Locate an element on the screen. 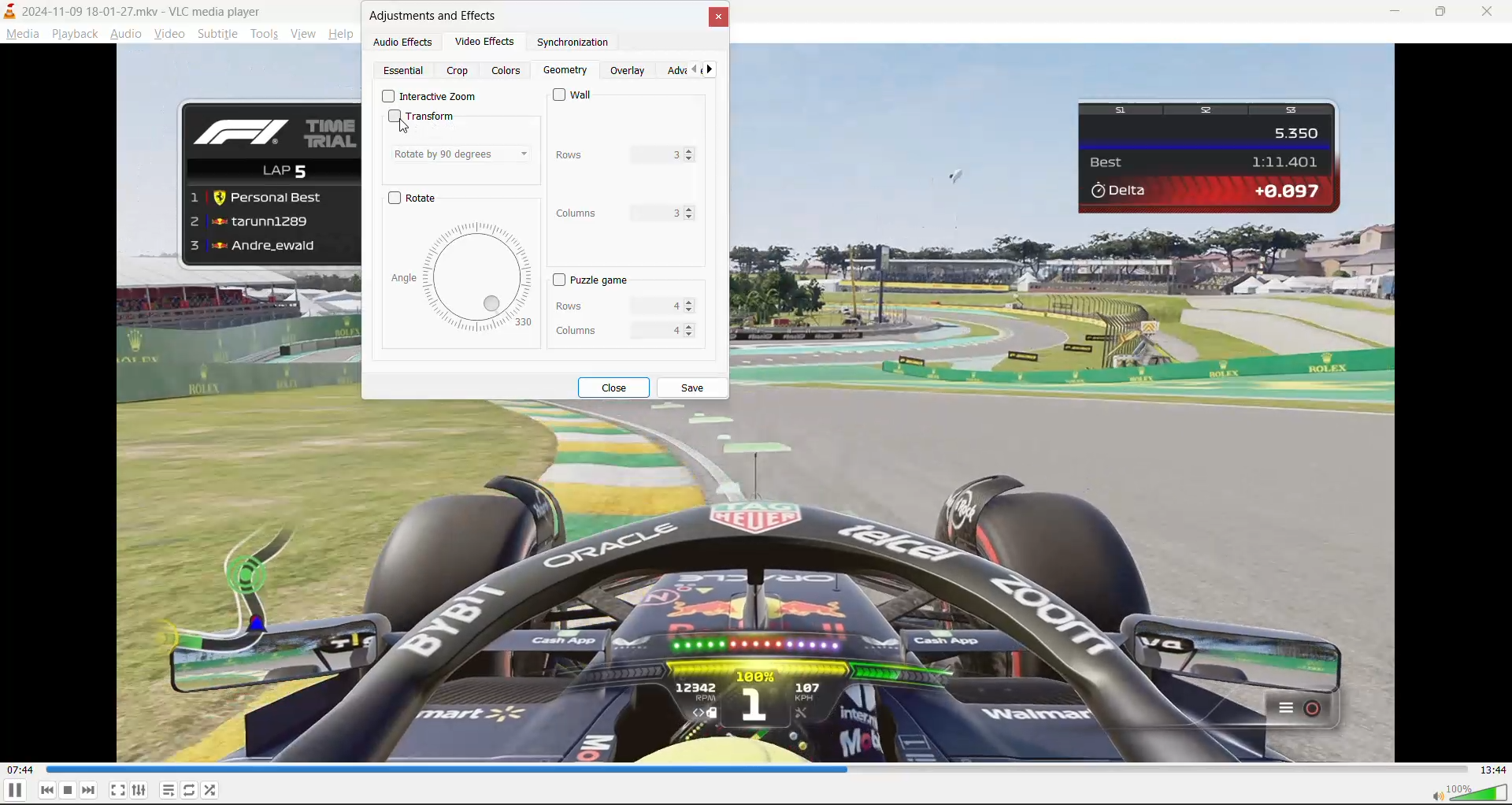 Image resolution: width=1512 pixels, height=805 pixels. Decrease is located at coordinates (691, 160).